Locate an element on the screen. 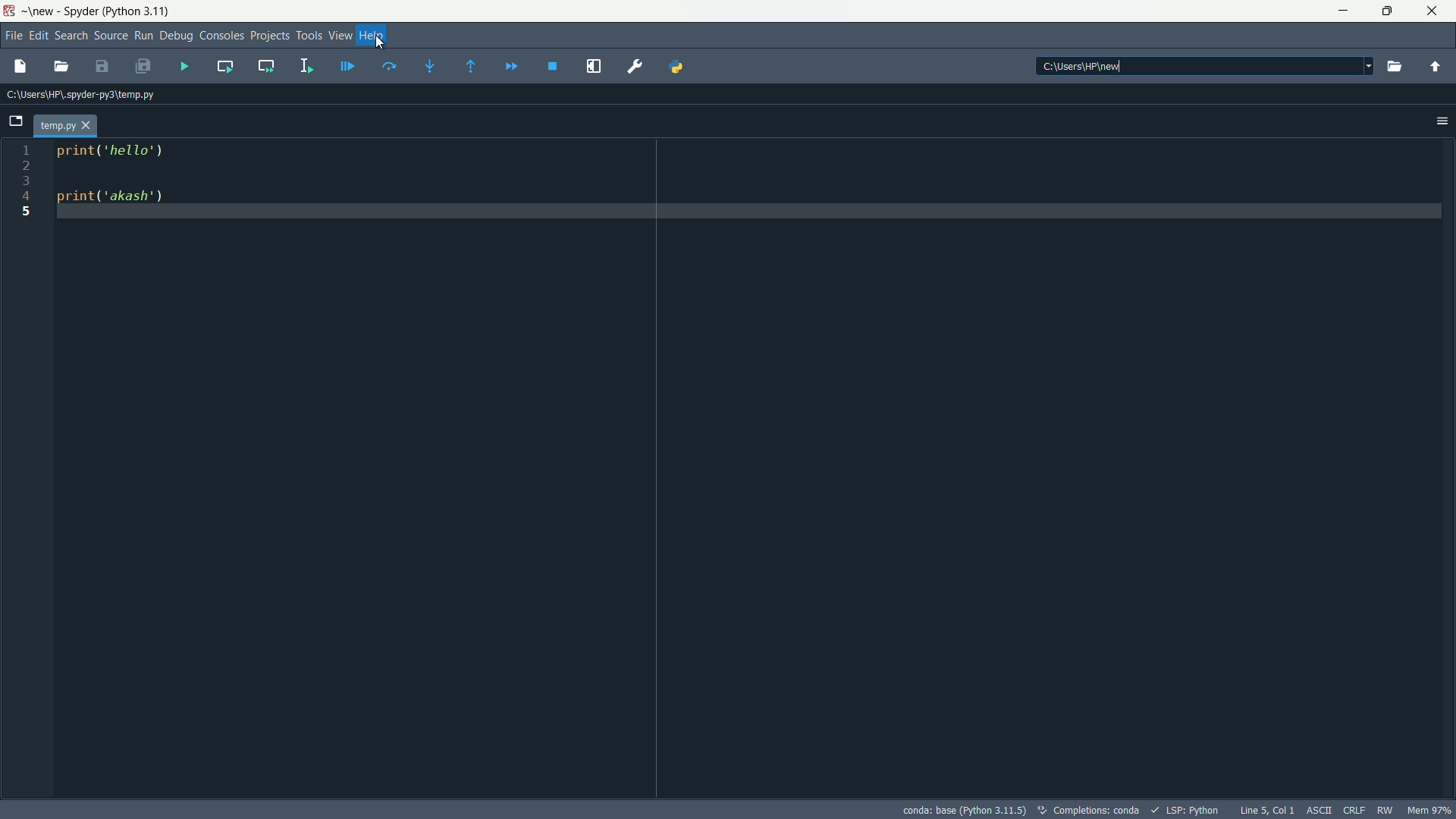 The height and width of the screenshot is (819, 1456). maximize current pane is located at coordinates (596, 67).